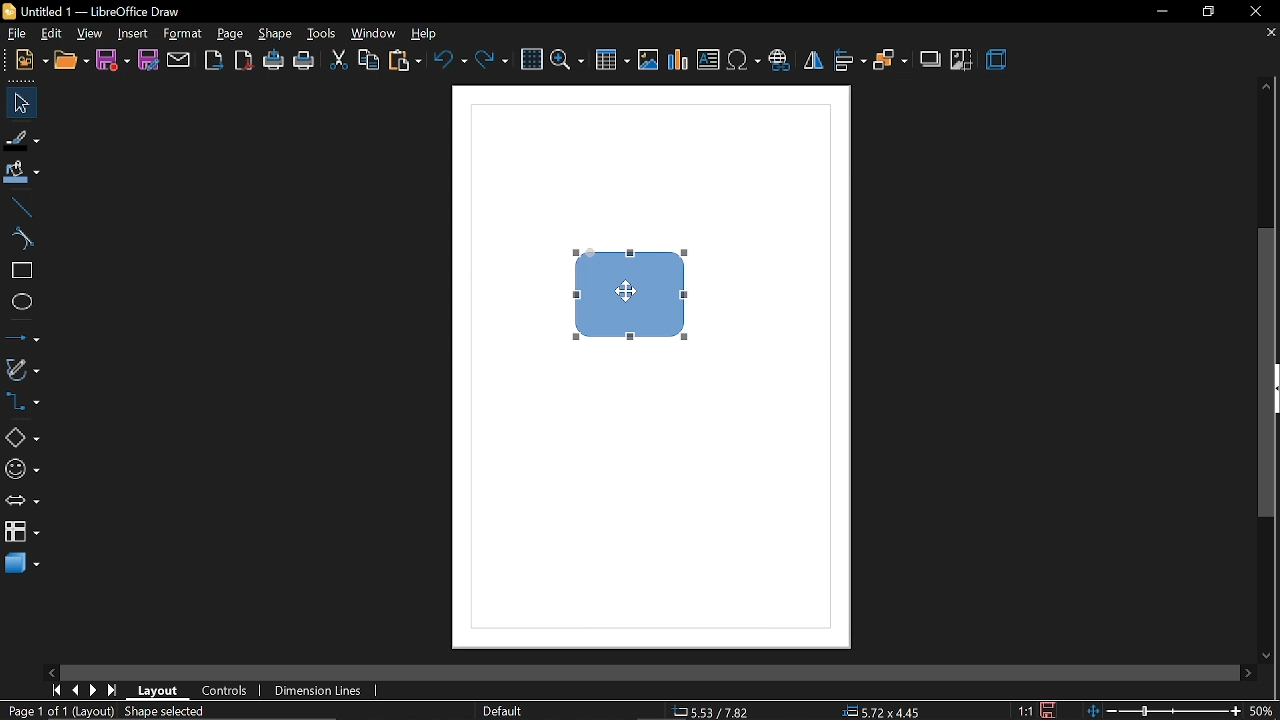  I want to click on fill line, so click(21, 140).